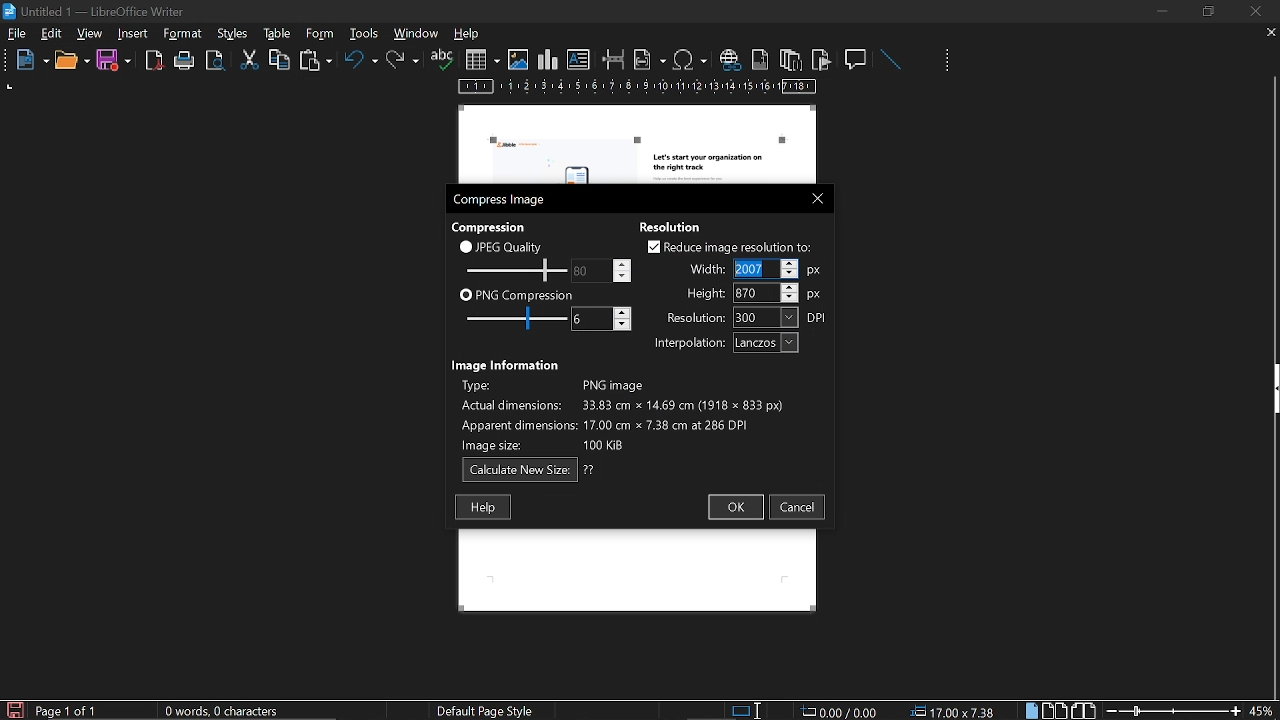 Image resolution: width=1280 pixels, height=720 pixels. Describe the element at coordinates (638, 88) in the screenshot. I see `scale` at that location.